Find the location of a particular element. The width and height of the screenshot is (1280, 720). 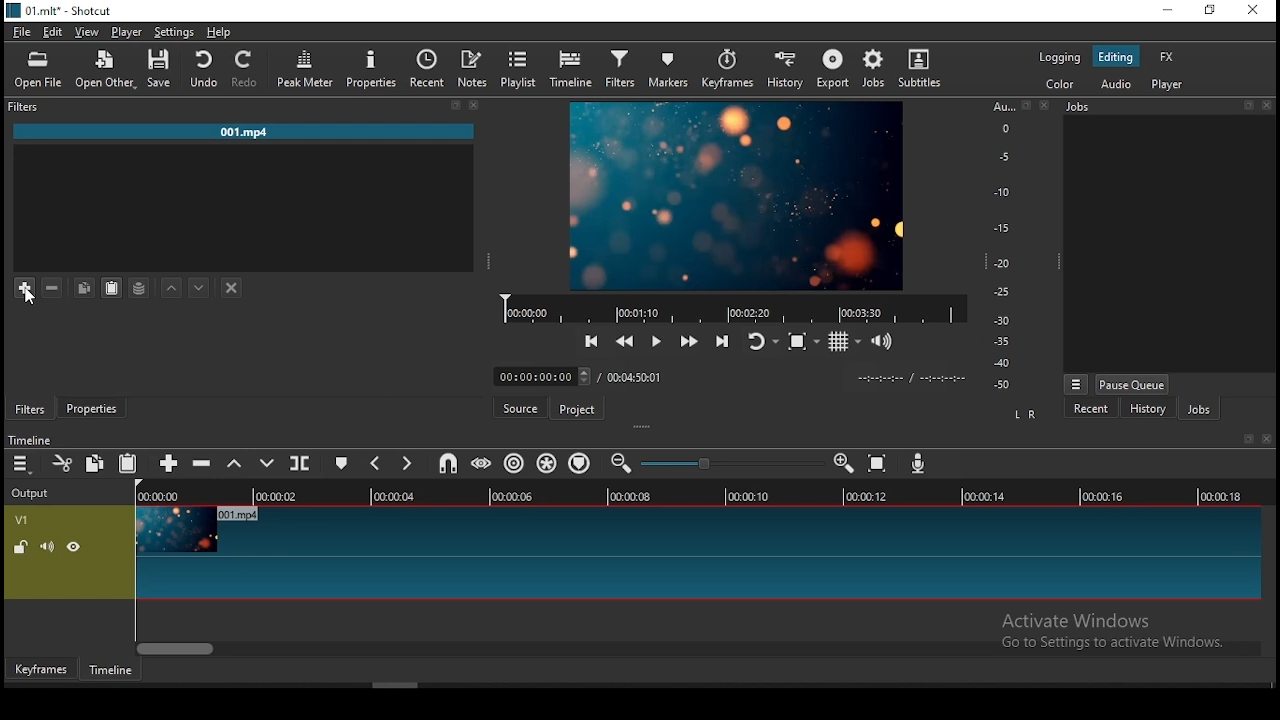

export is located at coordinates (833, 70).